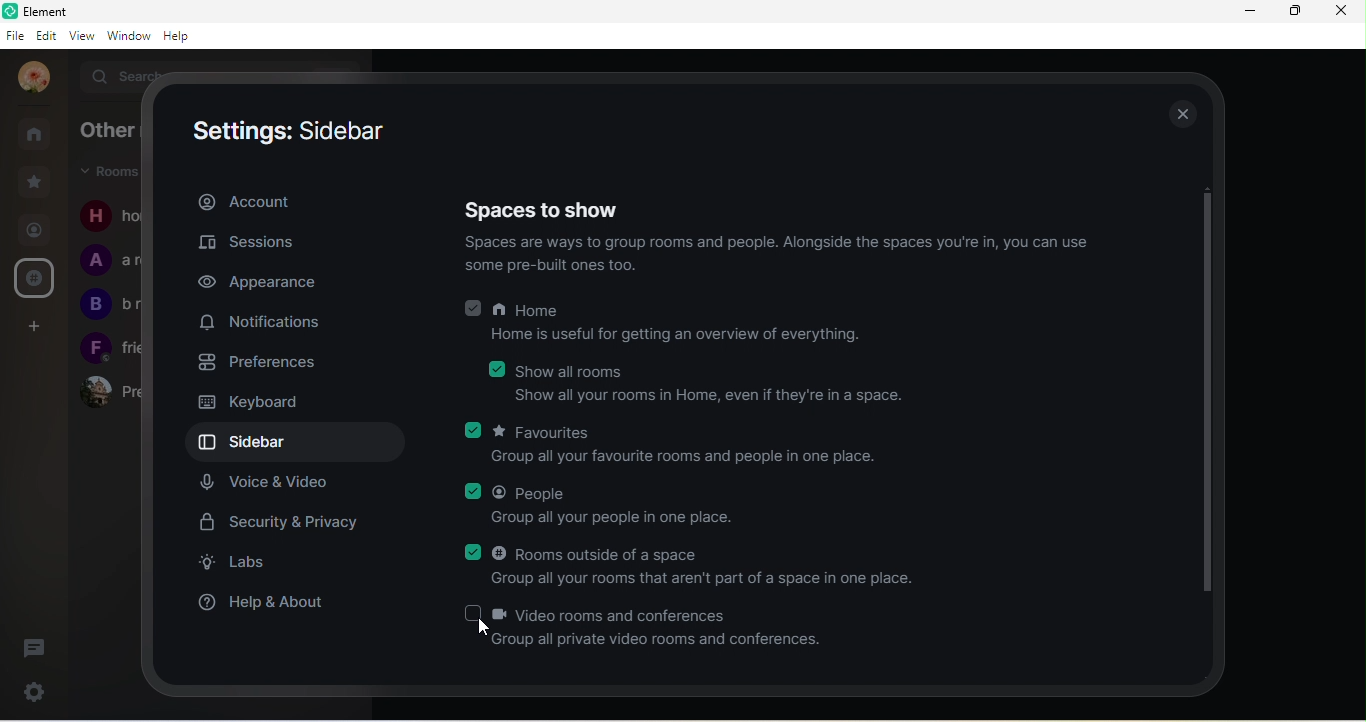 The image size is (1366, 722). What do you see at coordinates (35, 134) in the screenshot?
I see `all rooms` at bounding box center [35, 134].